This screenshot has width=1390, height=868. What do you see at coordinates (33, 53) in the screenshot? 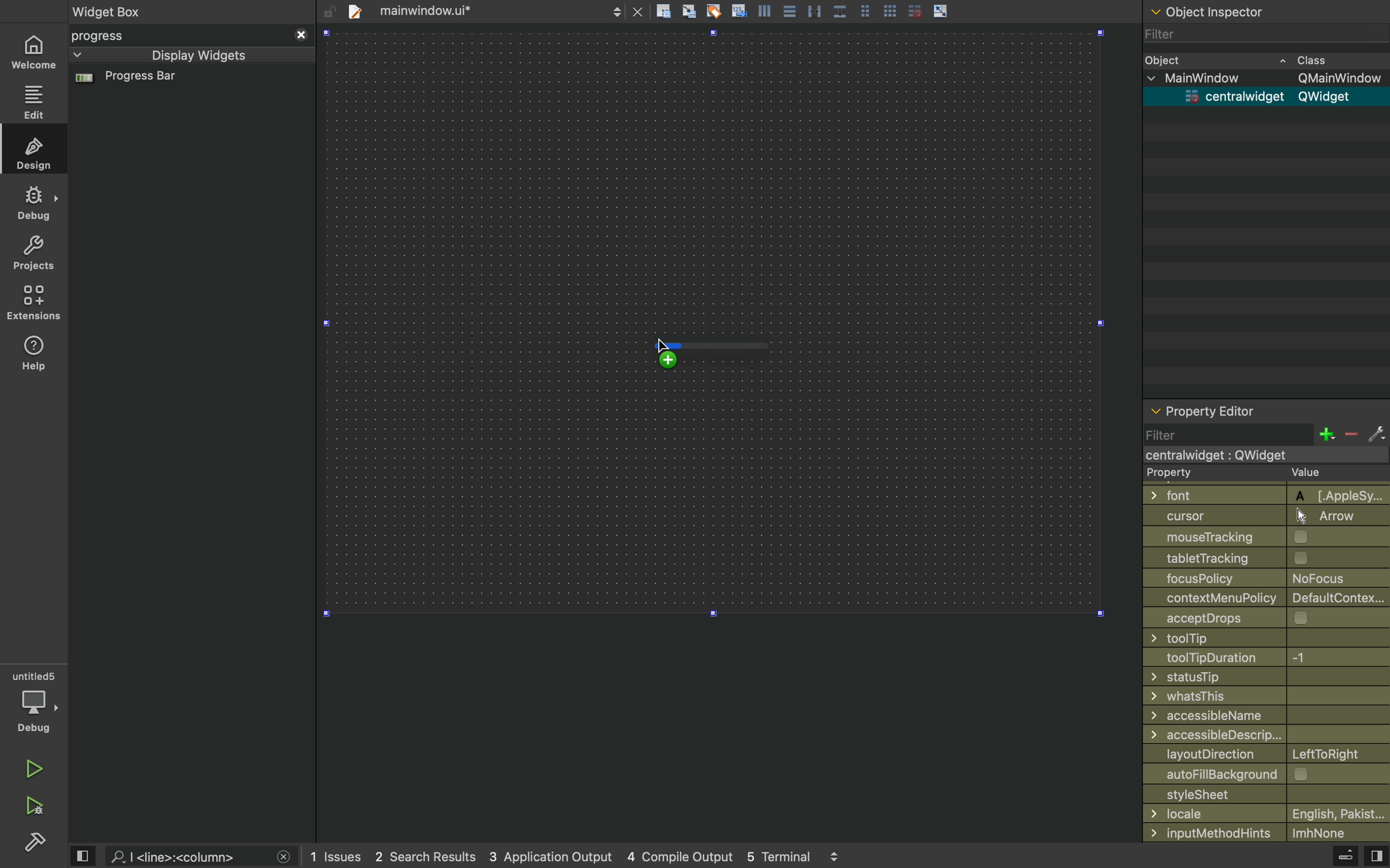
I see `home` at bounding box center [33, 53].